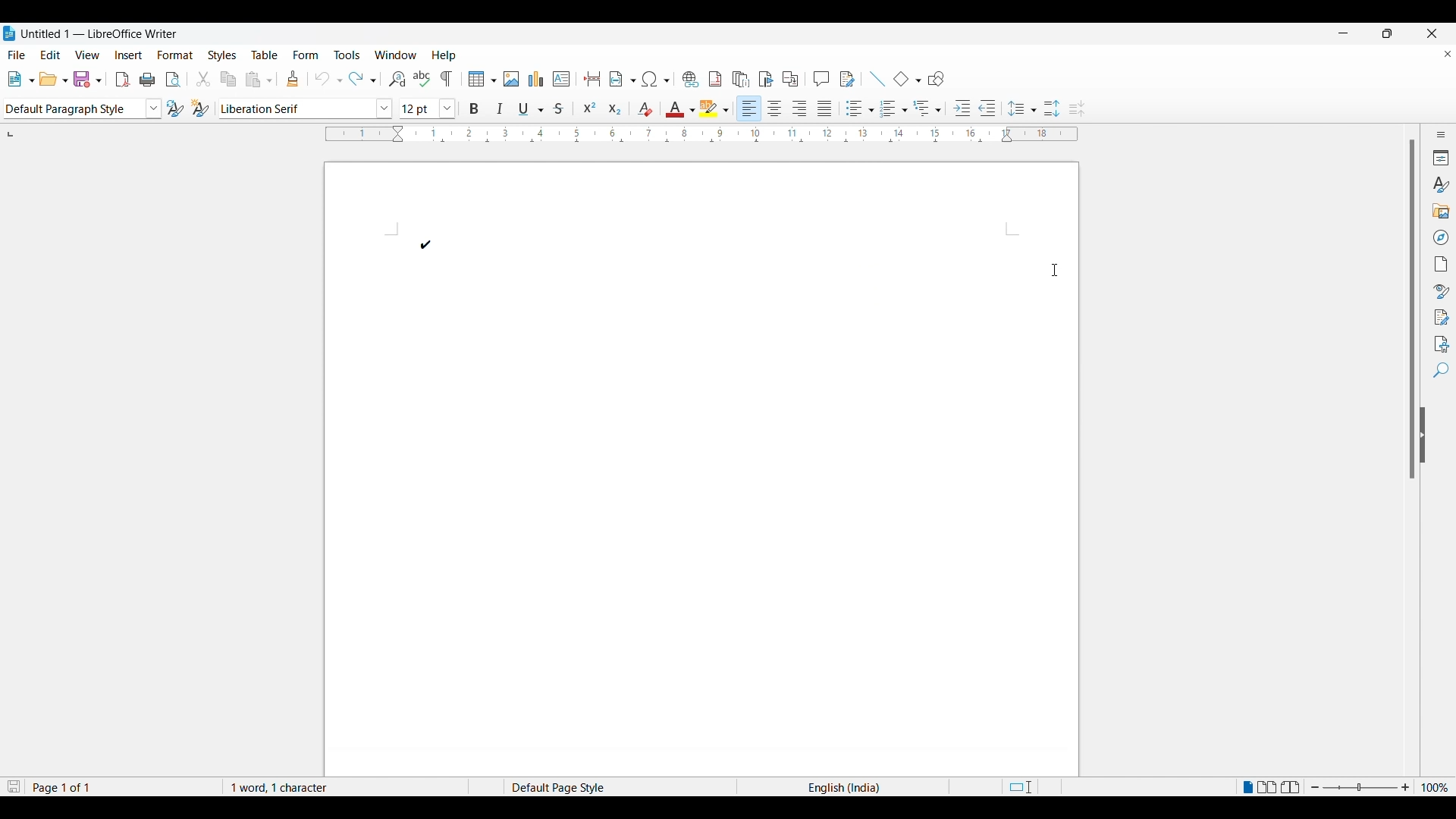  What do you see at coordinates (1360, 786) in the screenshot?
I see `zoom in or zoom out` at bounding box center [1360, 786].